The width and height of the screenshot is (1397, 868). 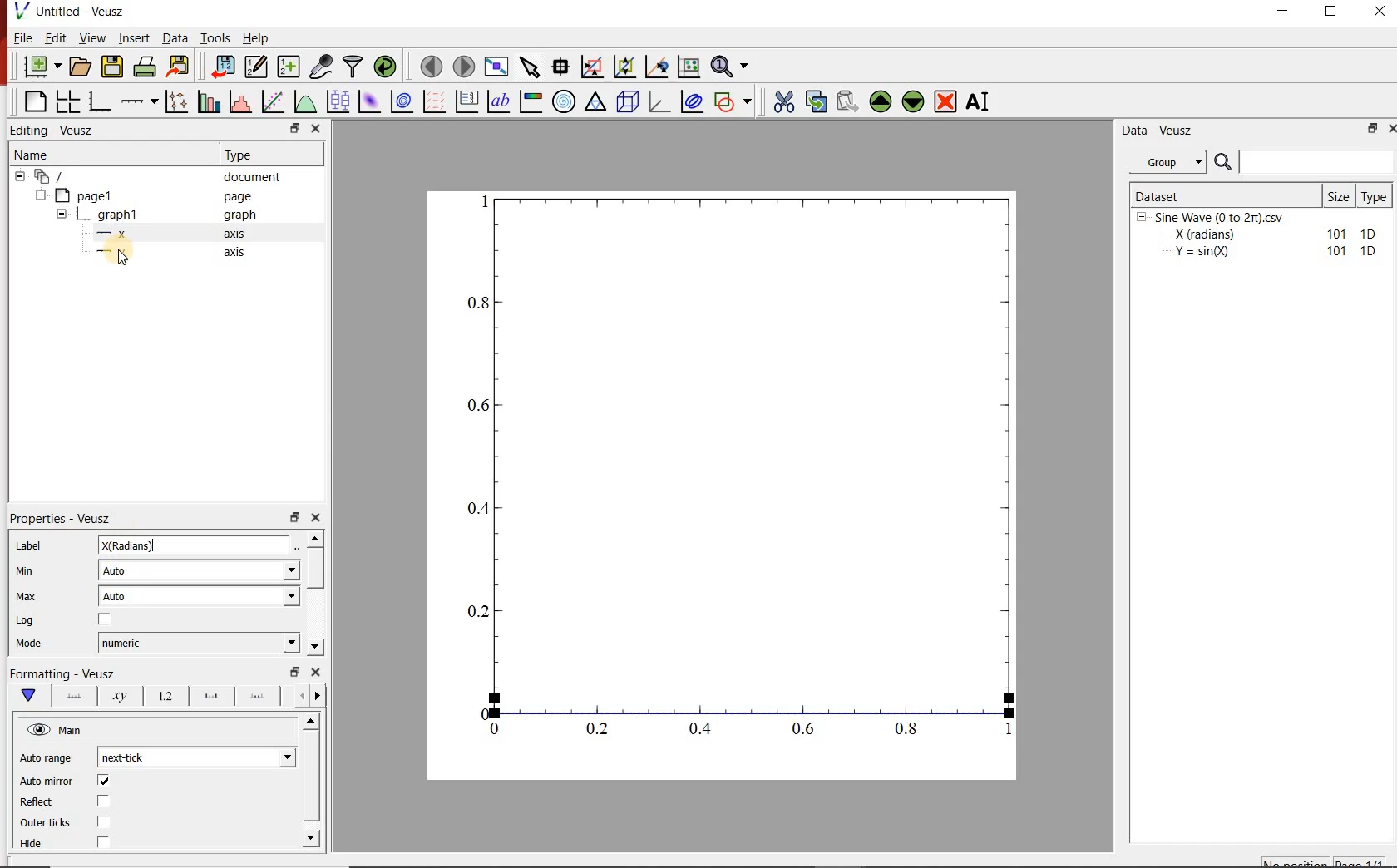 I want to click on click or draw rectangle, so click(x=592, y=65).